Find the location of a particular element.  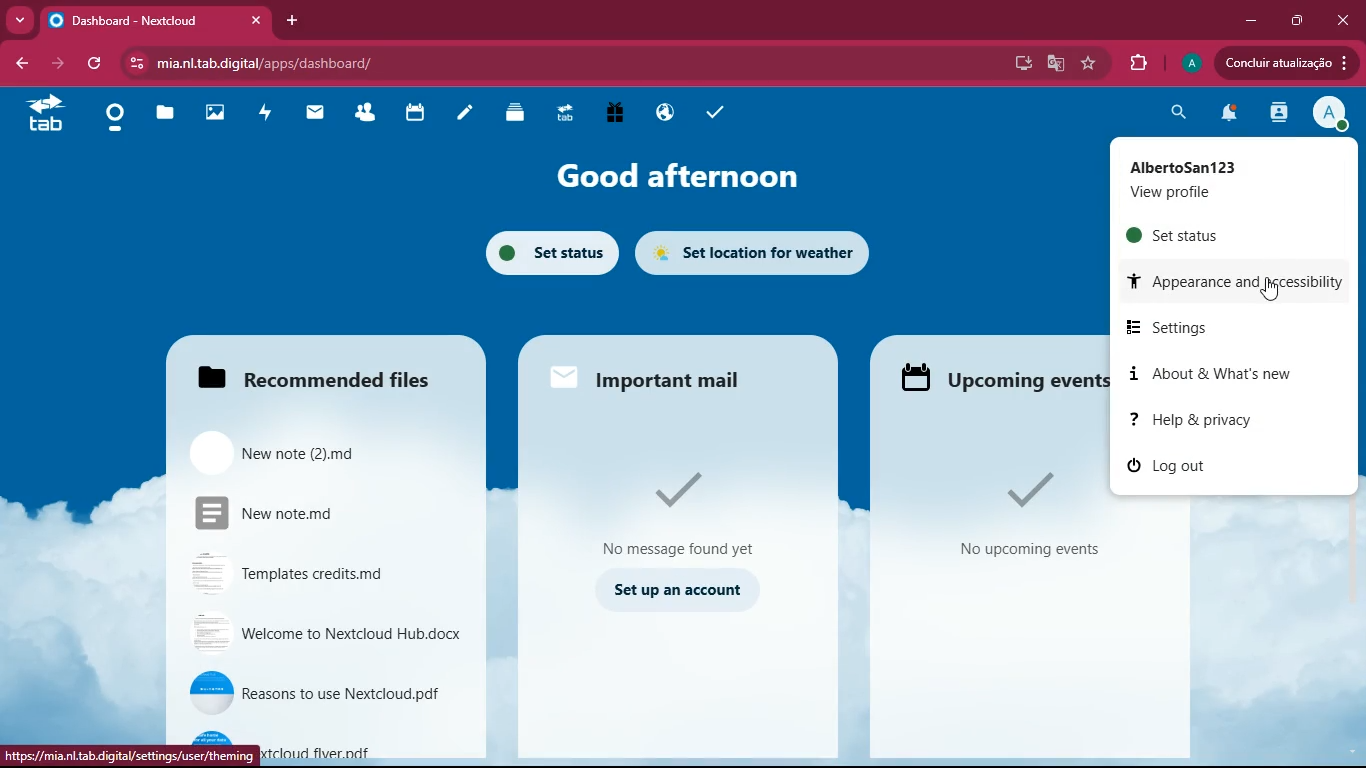

help & privacy is located at coordinates (1214, 416).